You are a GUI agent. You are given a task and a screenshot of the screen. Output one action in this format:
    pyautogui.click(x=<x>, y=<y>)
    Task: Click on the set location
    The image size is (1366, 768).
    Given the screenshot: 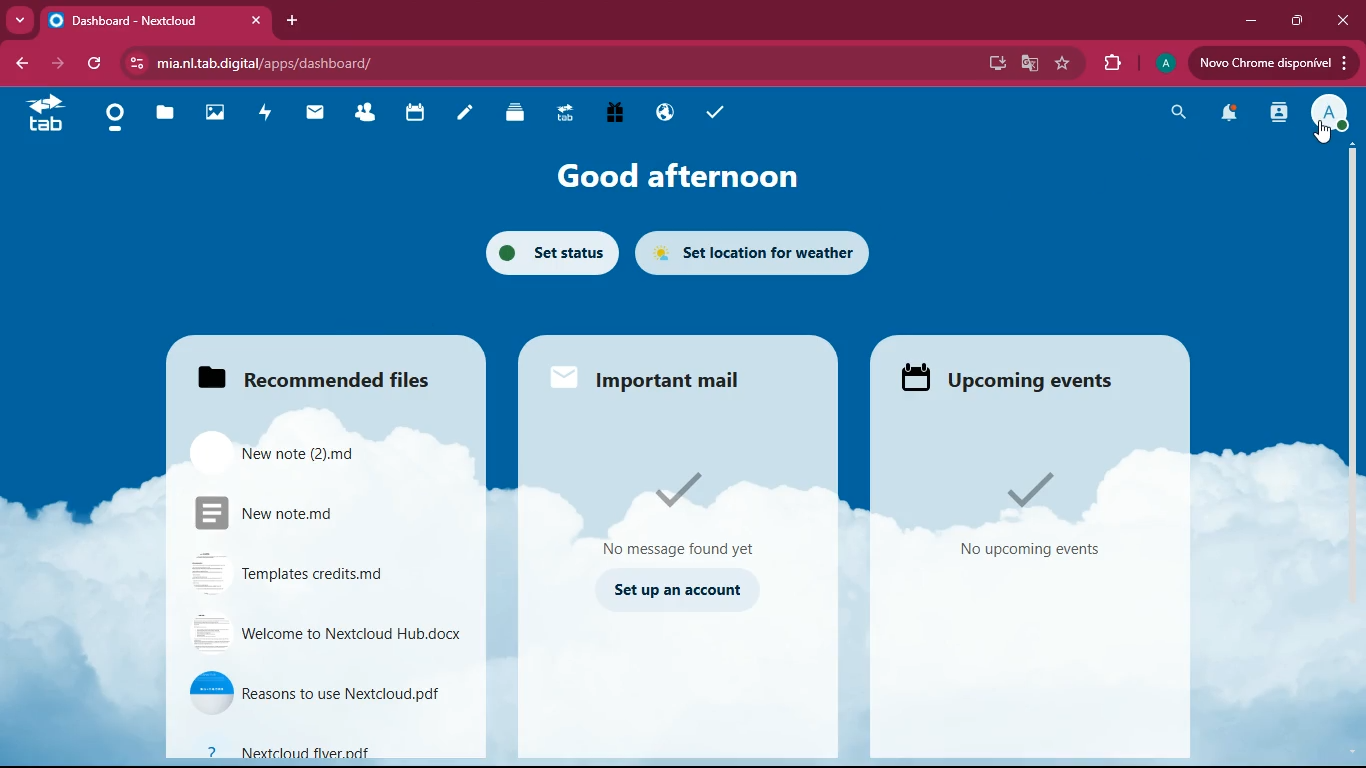 What is the action you would take?
    pyautogui.click(x=760, y=253)
    